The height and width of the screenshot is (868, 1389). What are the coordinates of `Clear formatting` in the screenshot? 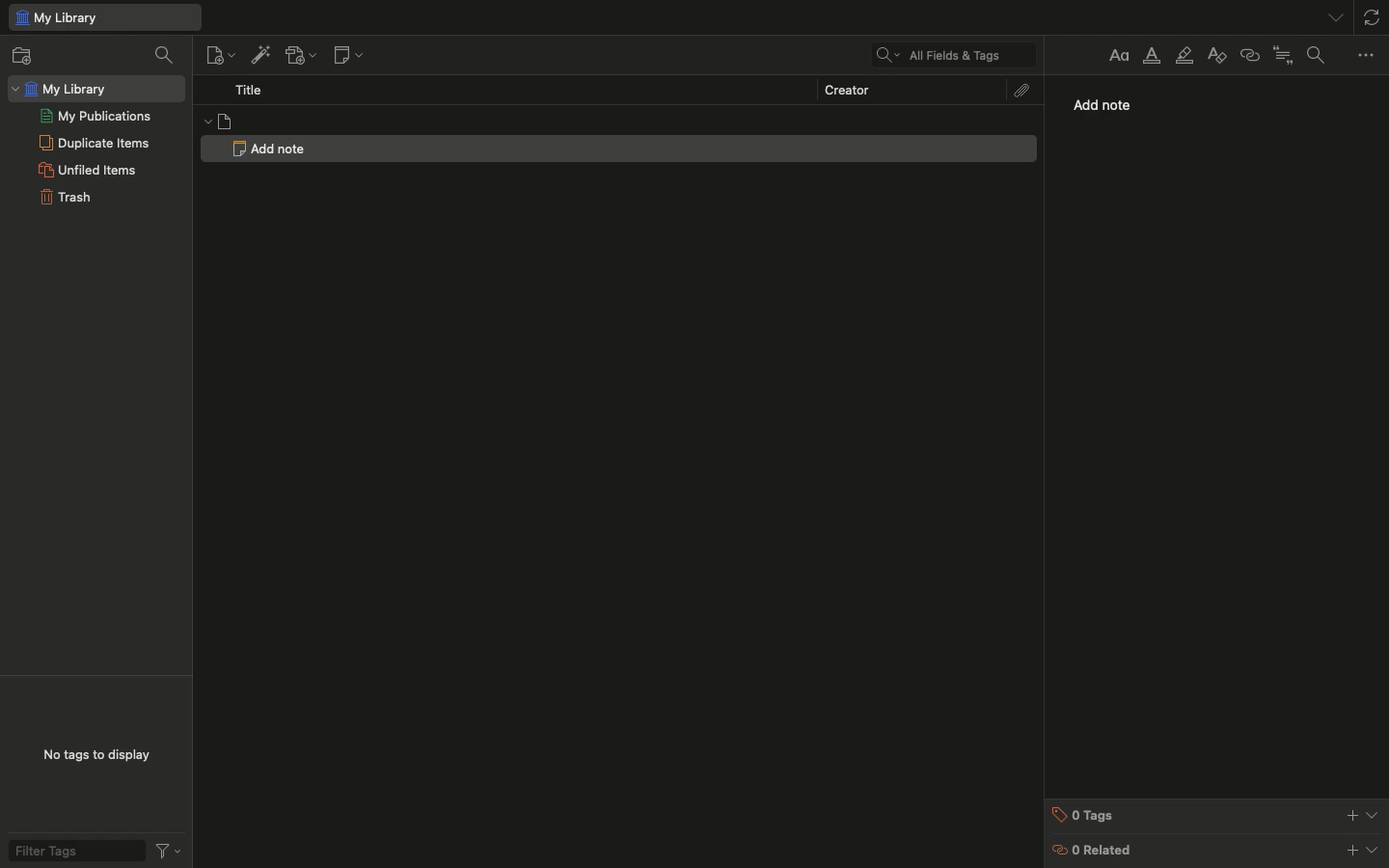 It's located at (1216, 55).